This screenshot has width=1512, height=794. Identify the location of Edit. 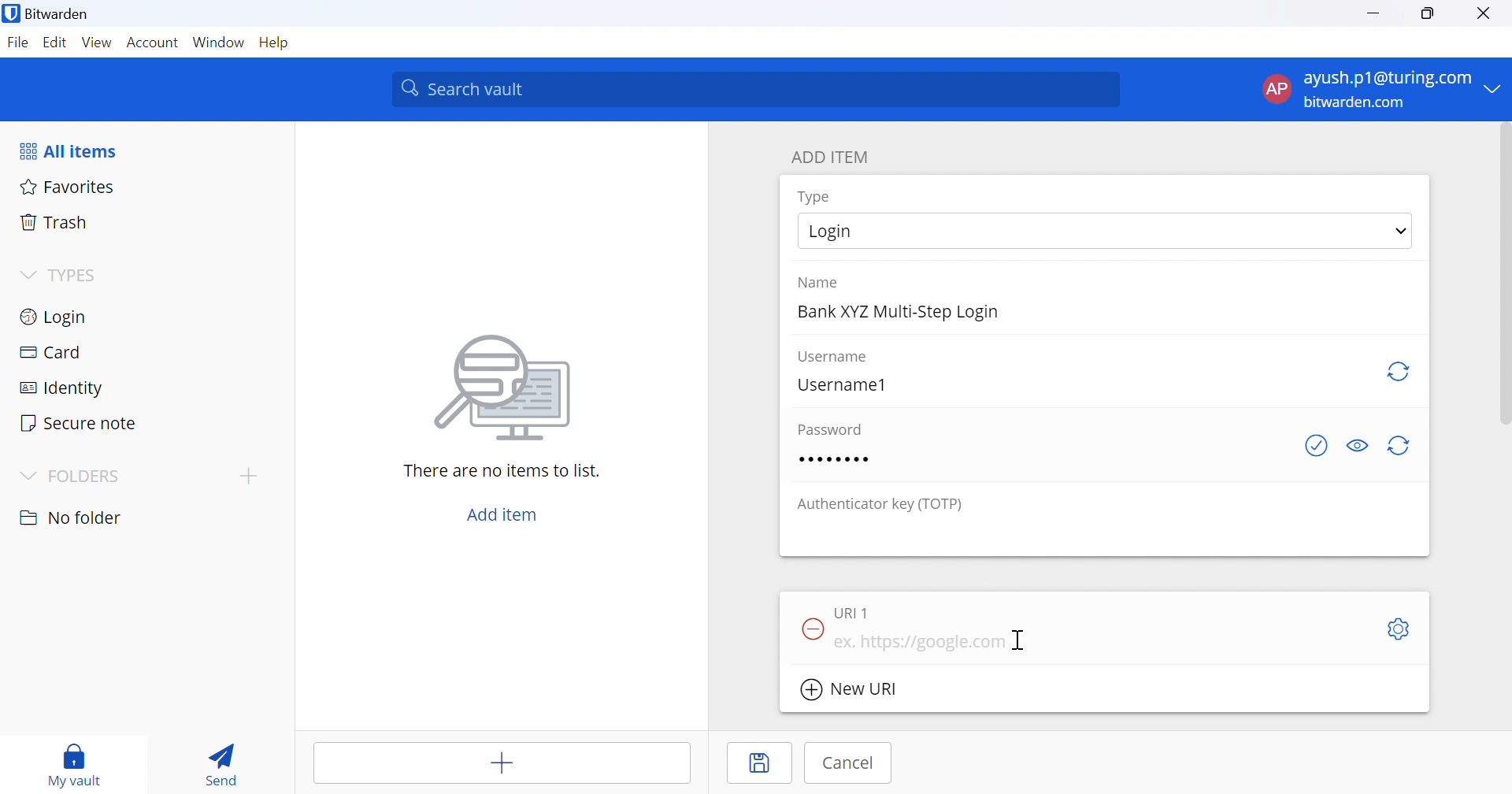
(53, 43).